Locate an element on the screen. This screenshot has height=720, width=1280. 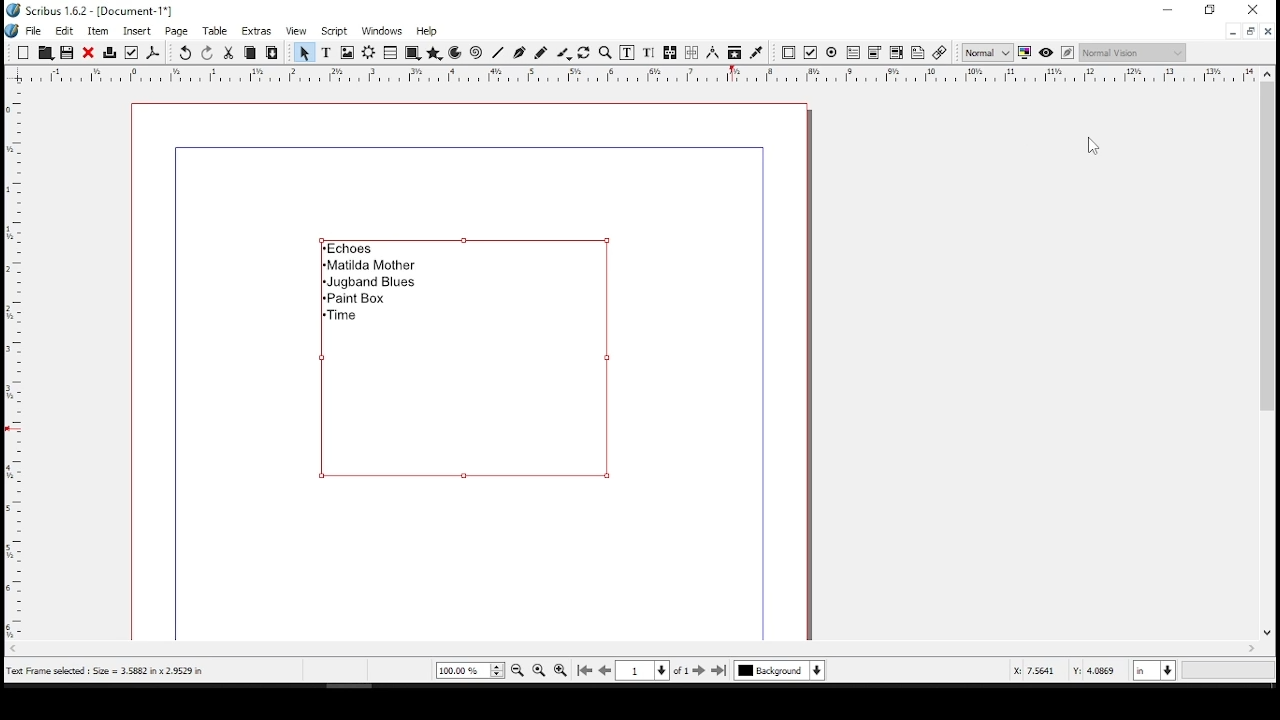
restore is located at coordinates (1211, 10).